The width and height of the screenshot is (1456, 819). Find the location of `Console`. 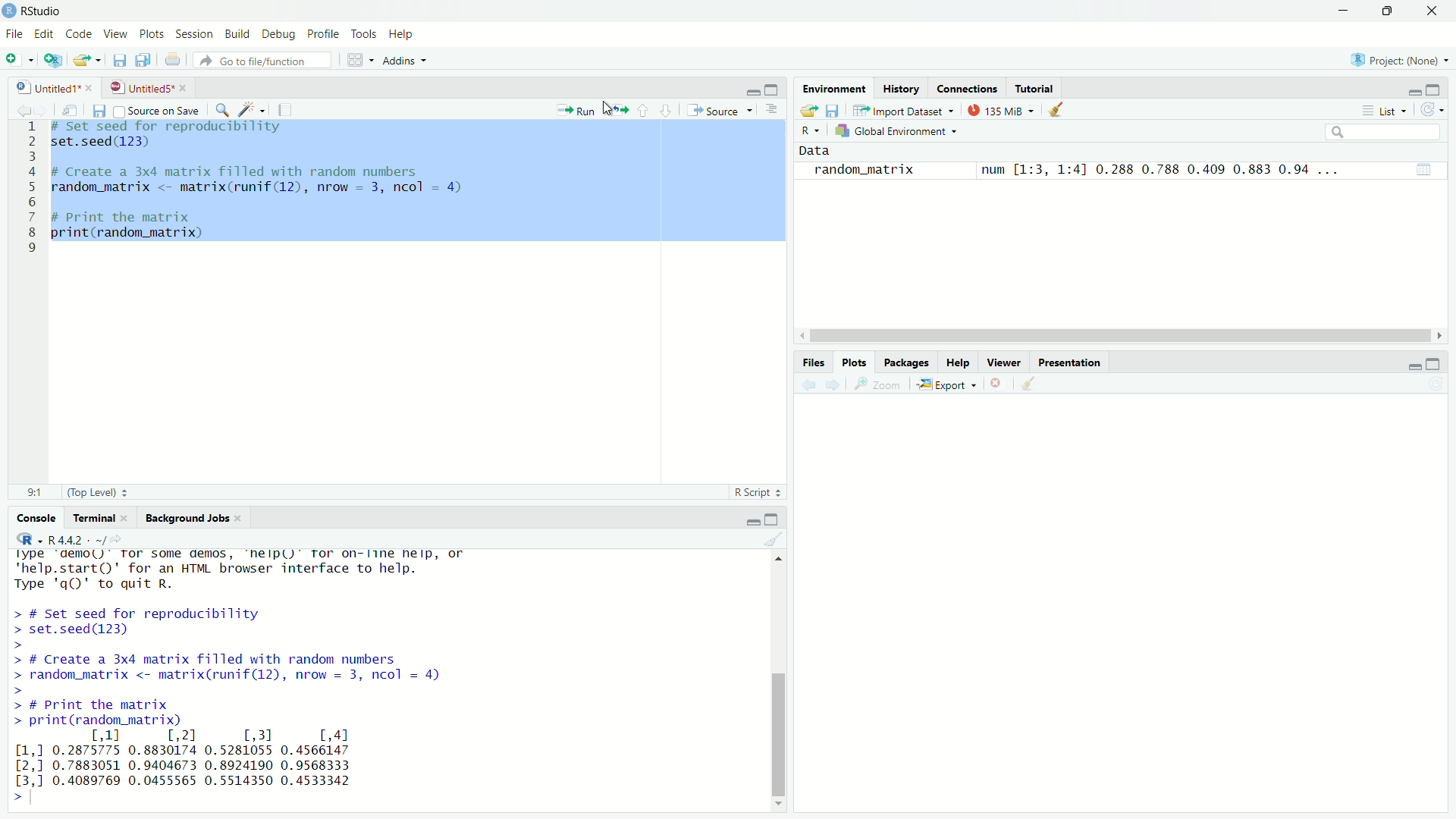

Console is located at coordinates (36, 516).